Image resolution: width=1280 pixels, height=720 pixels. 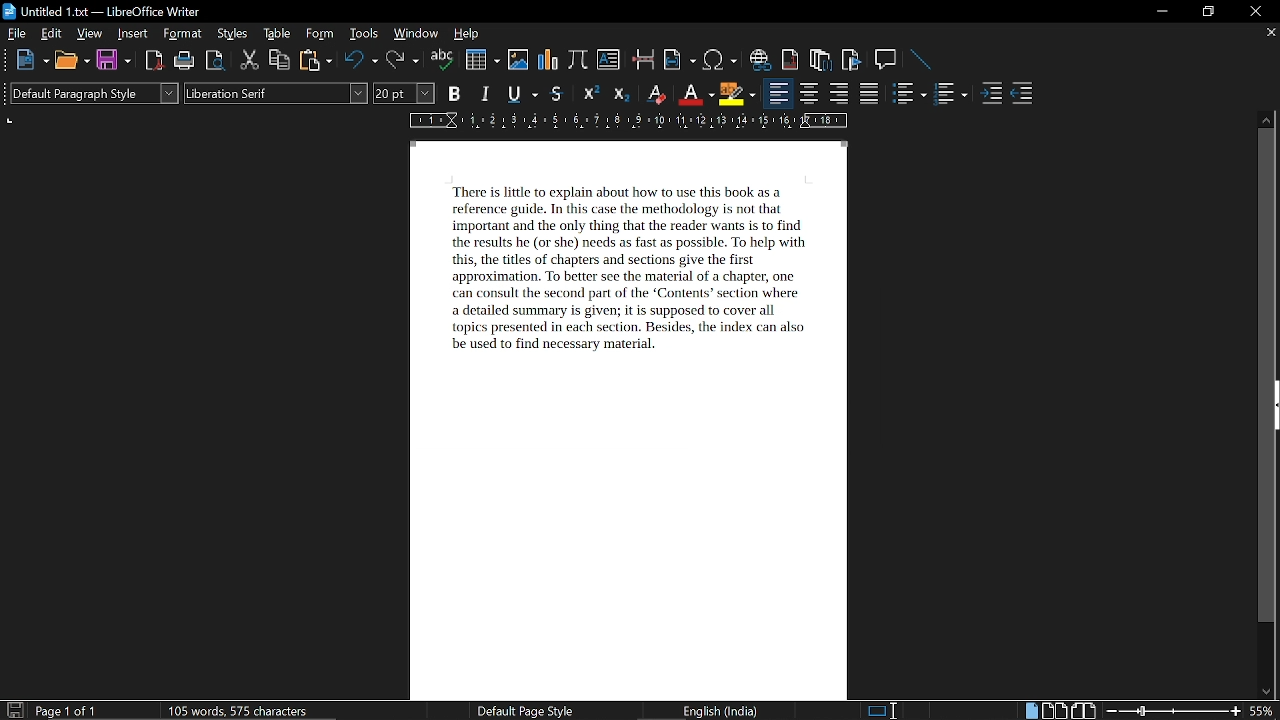 I want to click on insert symbol, so click(x=722, y=60).